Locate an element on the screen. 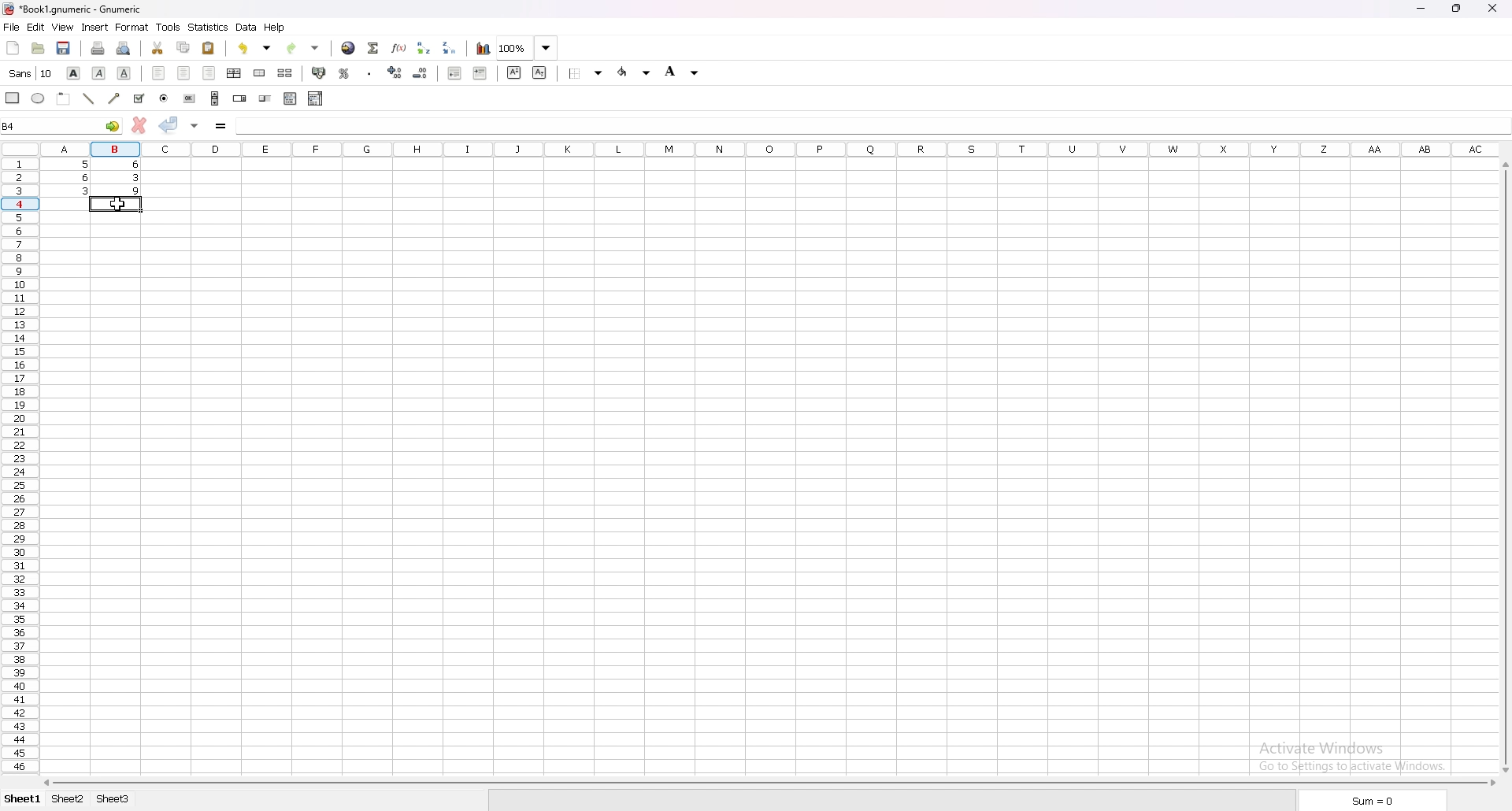 The height and width of the screenshot is (811, 1512). increase decimal is located at coordinates (395, 72).